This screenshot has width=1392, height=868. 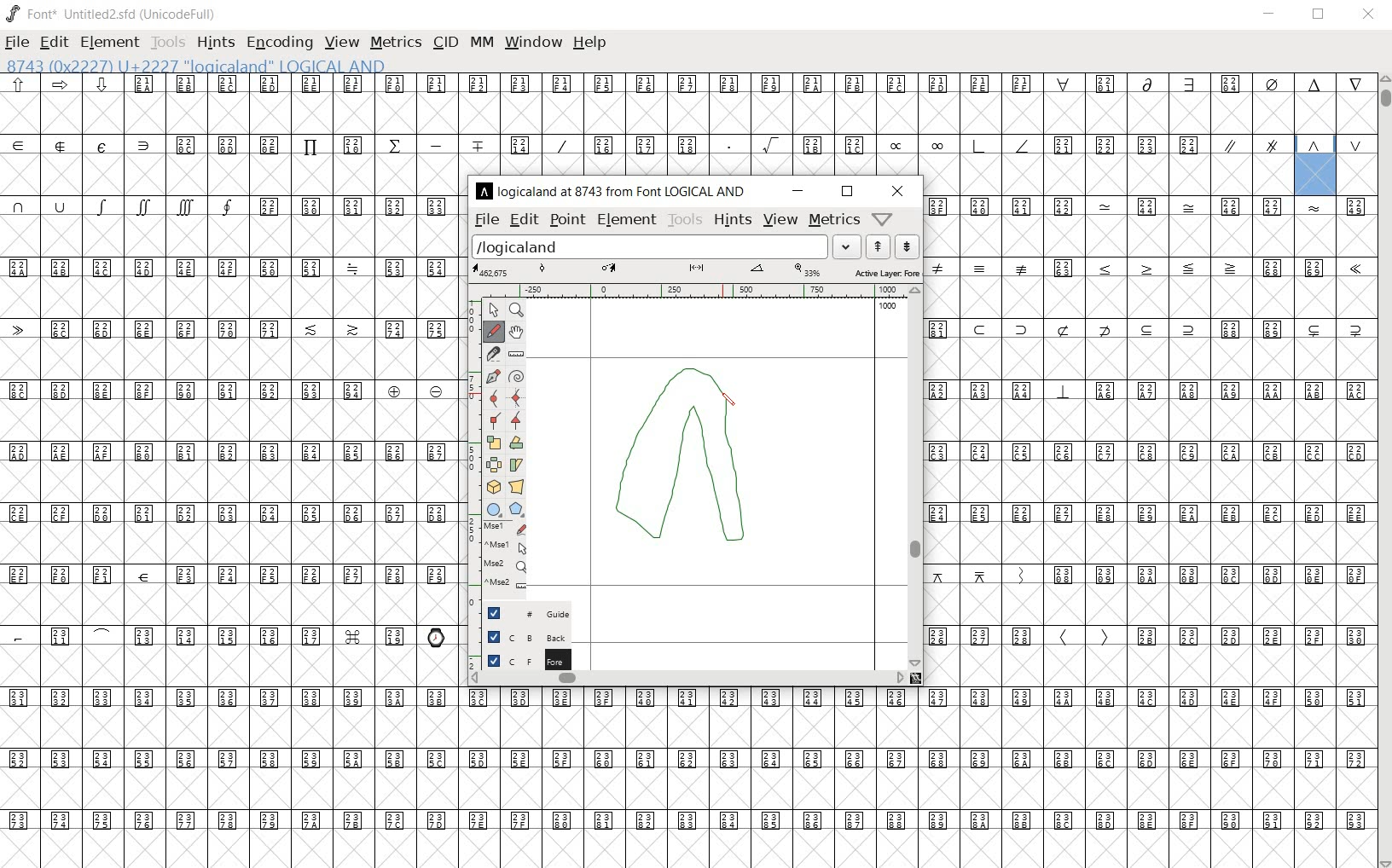 What do you see at coordinates (445, 41) in the screenshot?
I see `cid` at bounding box center [445, 41].